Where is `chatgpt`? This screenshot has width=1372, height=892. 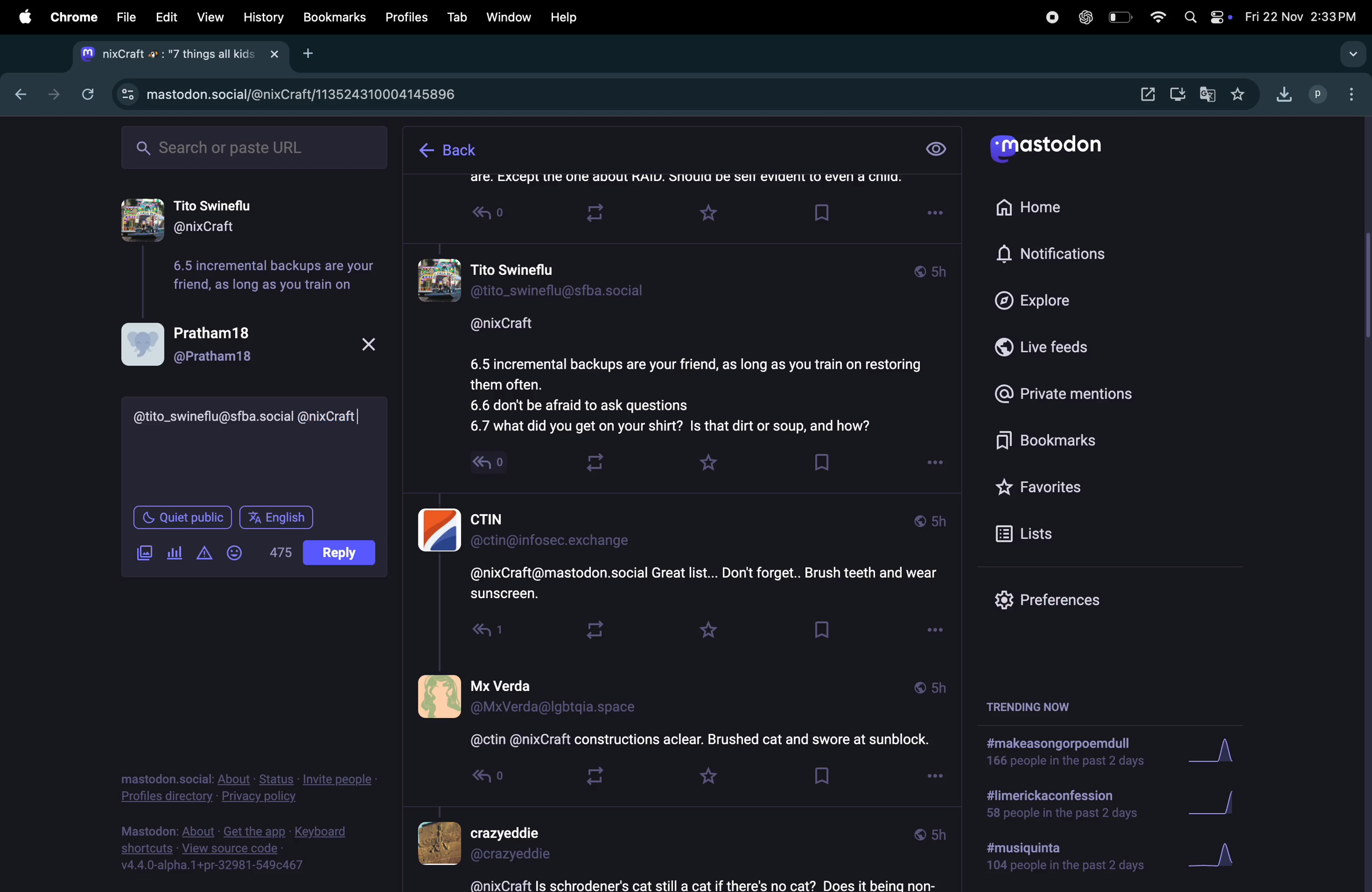 chatgpt is located at coordinates (1083, 17).